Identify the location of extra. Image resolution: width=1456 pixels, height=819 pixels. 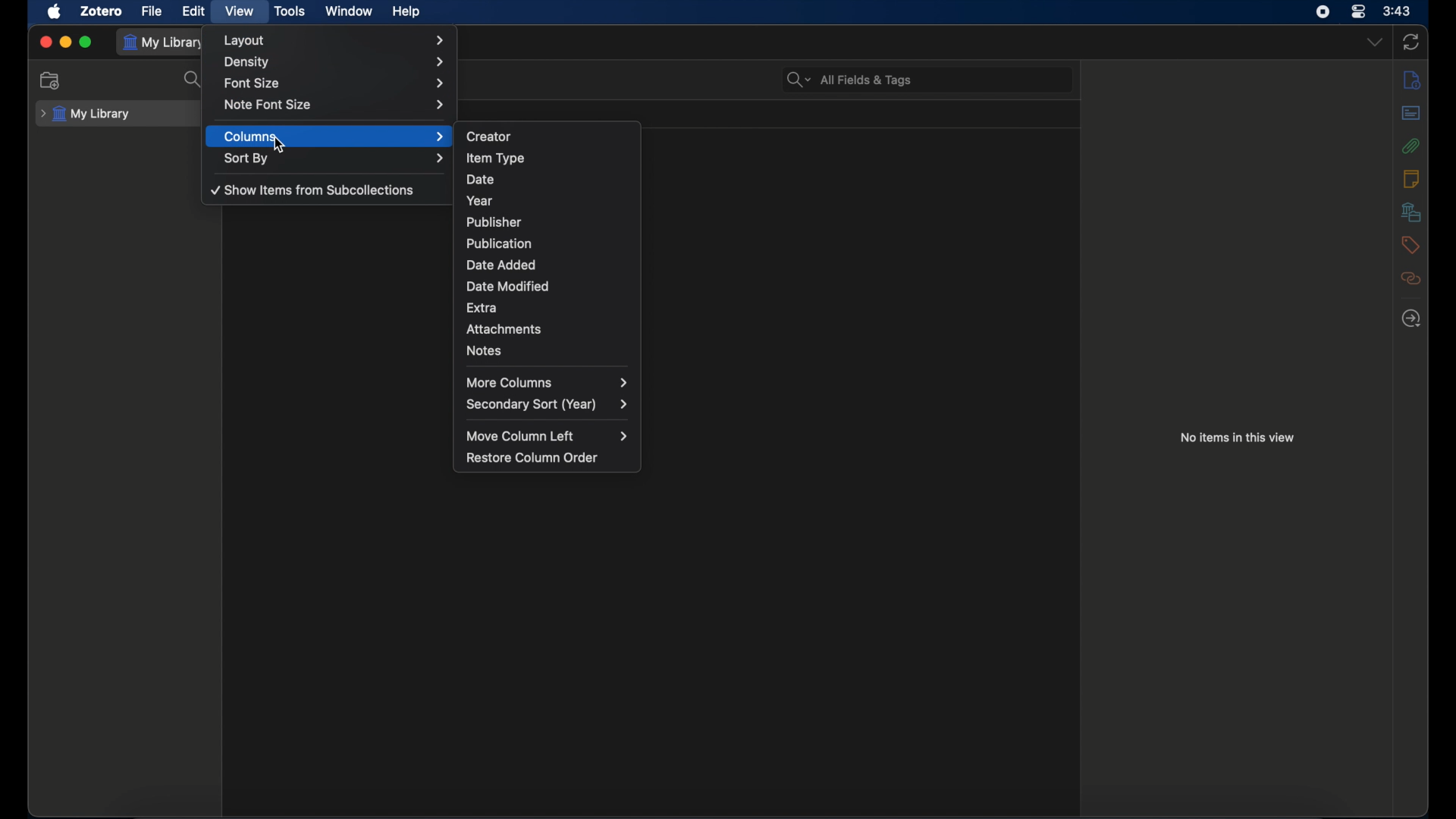
(544, 306).